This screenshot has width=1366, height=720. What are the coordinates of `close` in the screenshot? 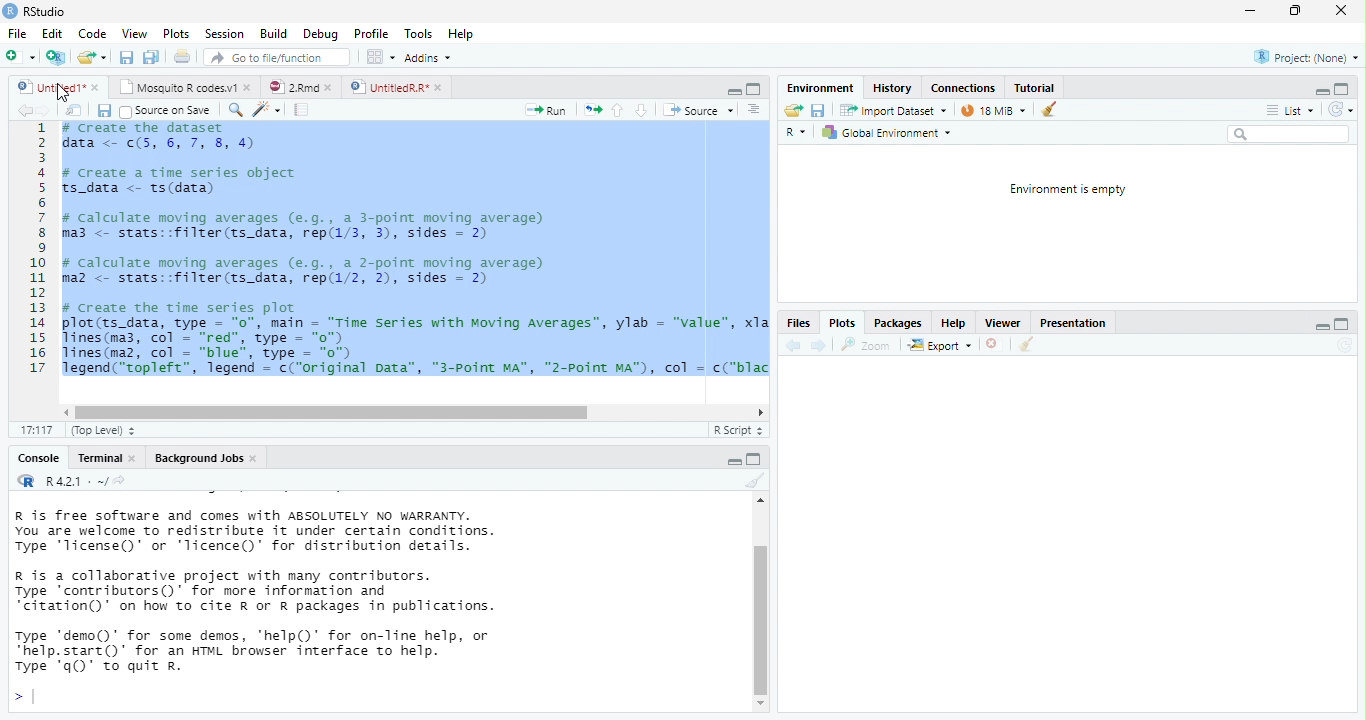 It's located at (332, 88).